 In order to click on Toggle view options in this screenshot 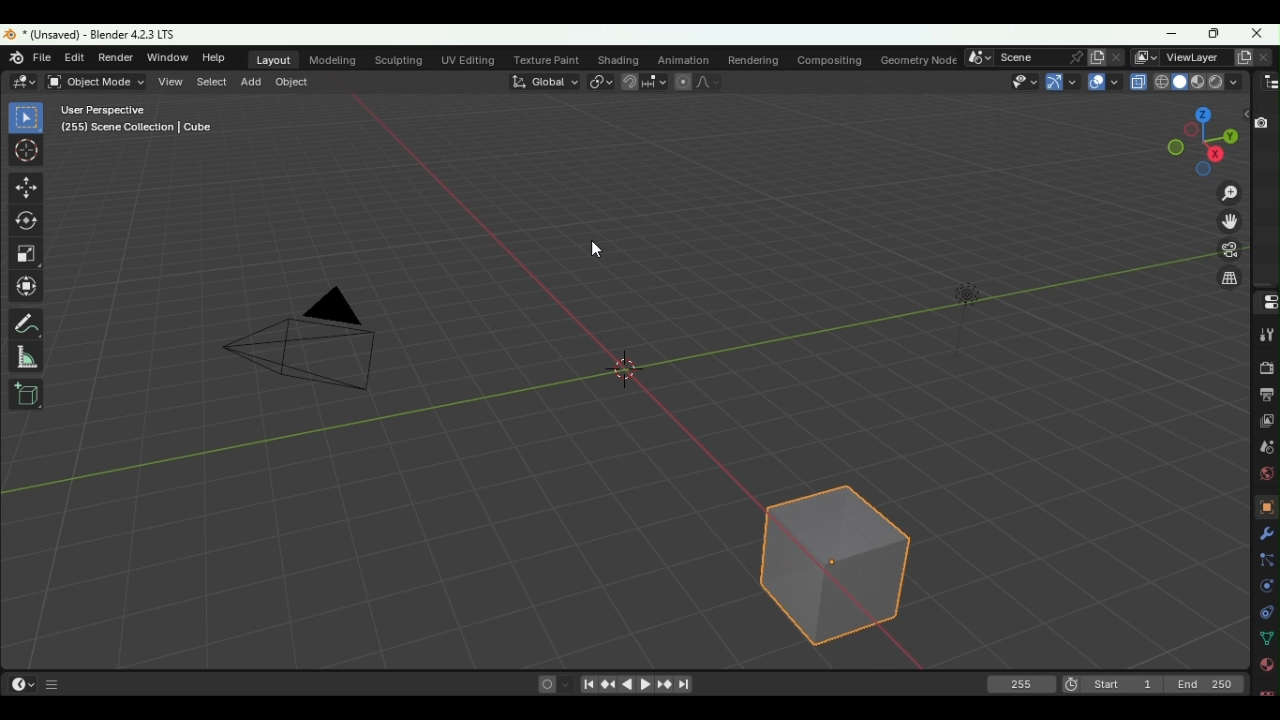, I will do `click(1243, 113)`.